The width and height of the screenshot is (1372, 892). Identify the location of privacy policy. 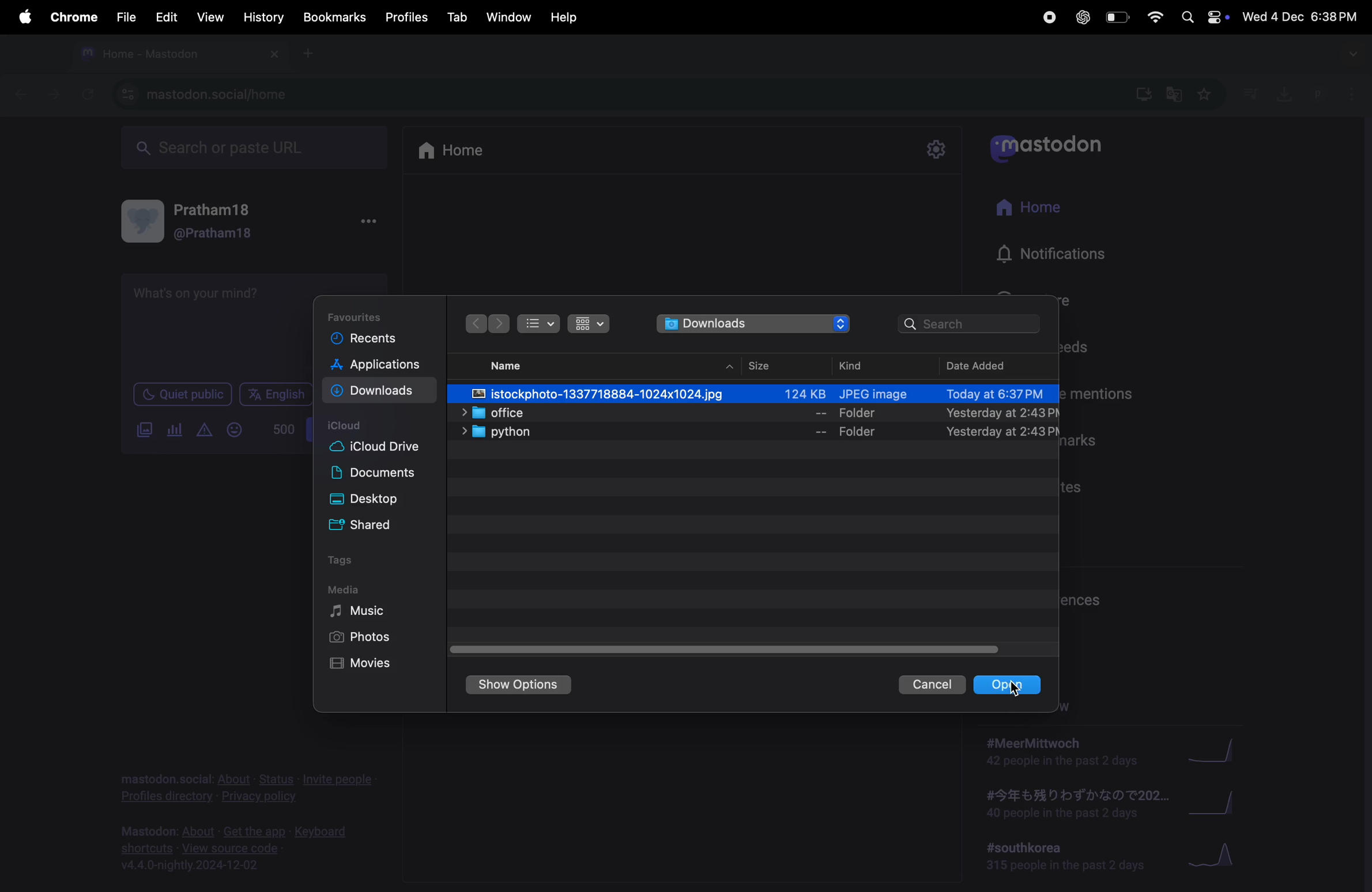
(246, 784).